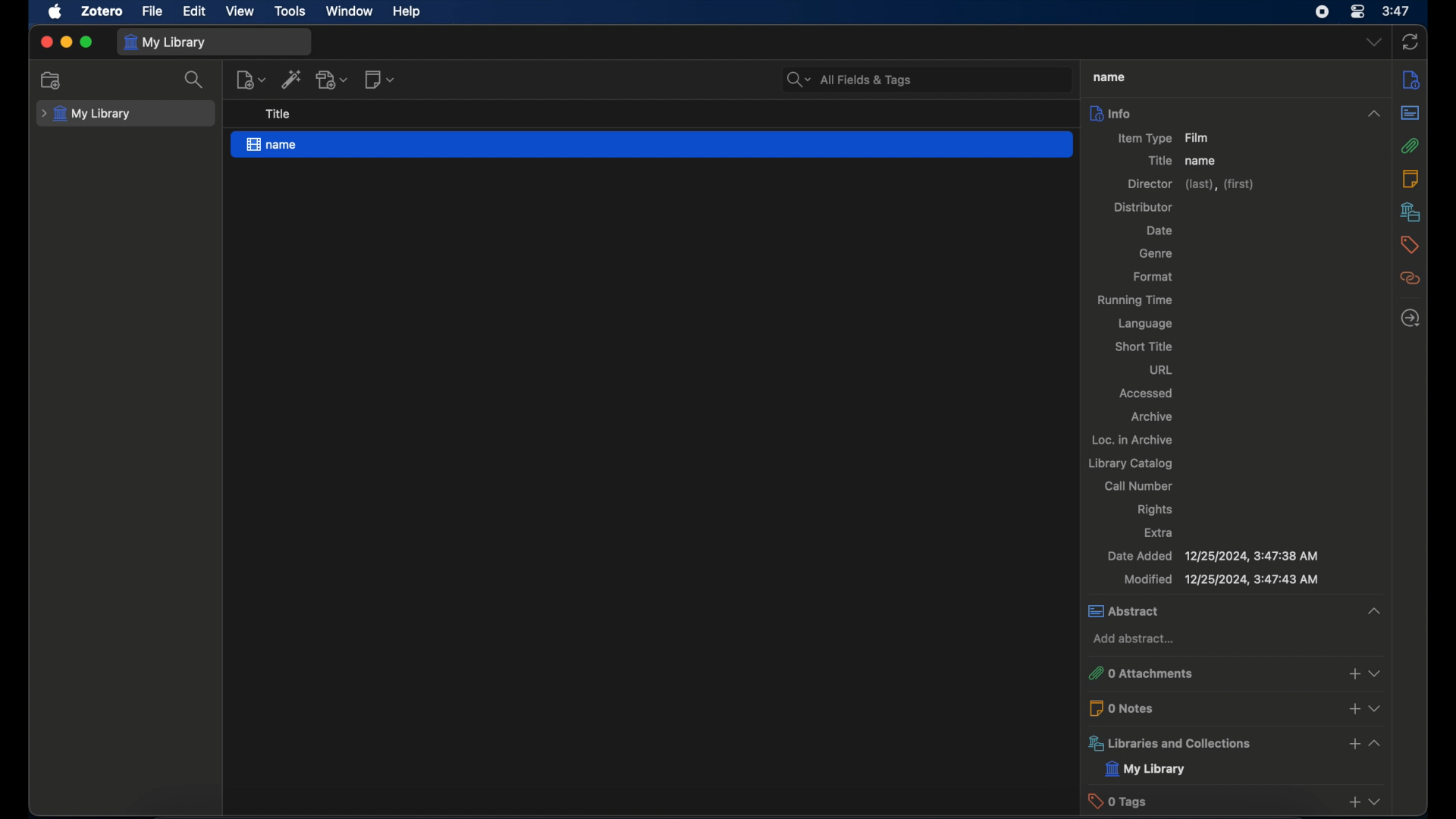 This screenshot has height=819, width=1456. What do you see at coordinates (1152, 276) in the screenshot?
I see `format` at bounding box center [1152, 276].